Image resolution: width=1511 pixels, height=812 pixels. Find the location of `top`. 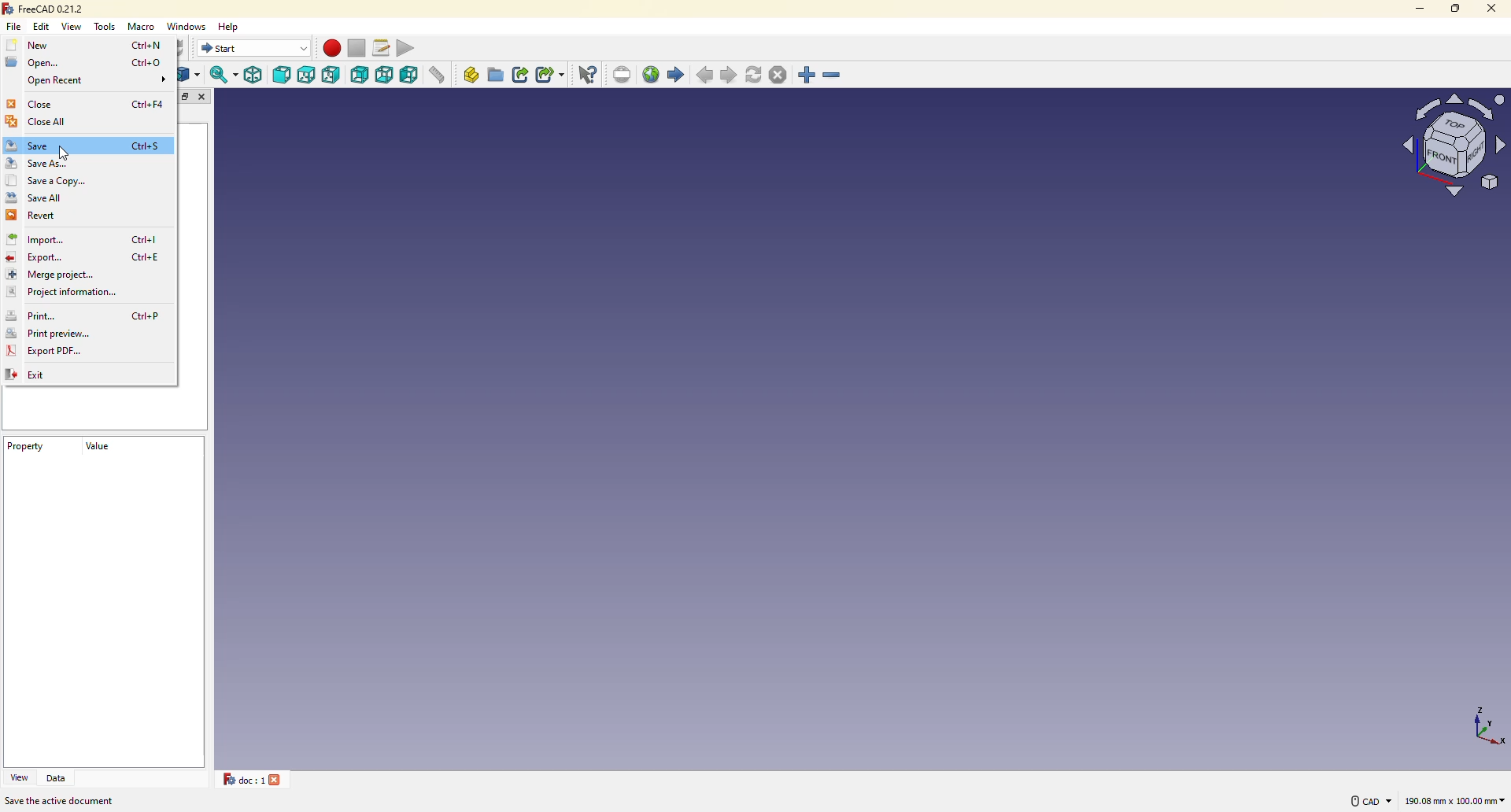

top is located at coordinates (307, 76).